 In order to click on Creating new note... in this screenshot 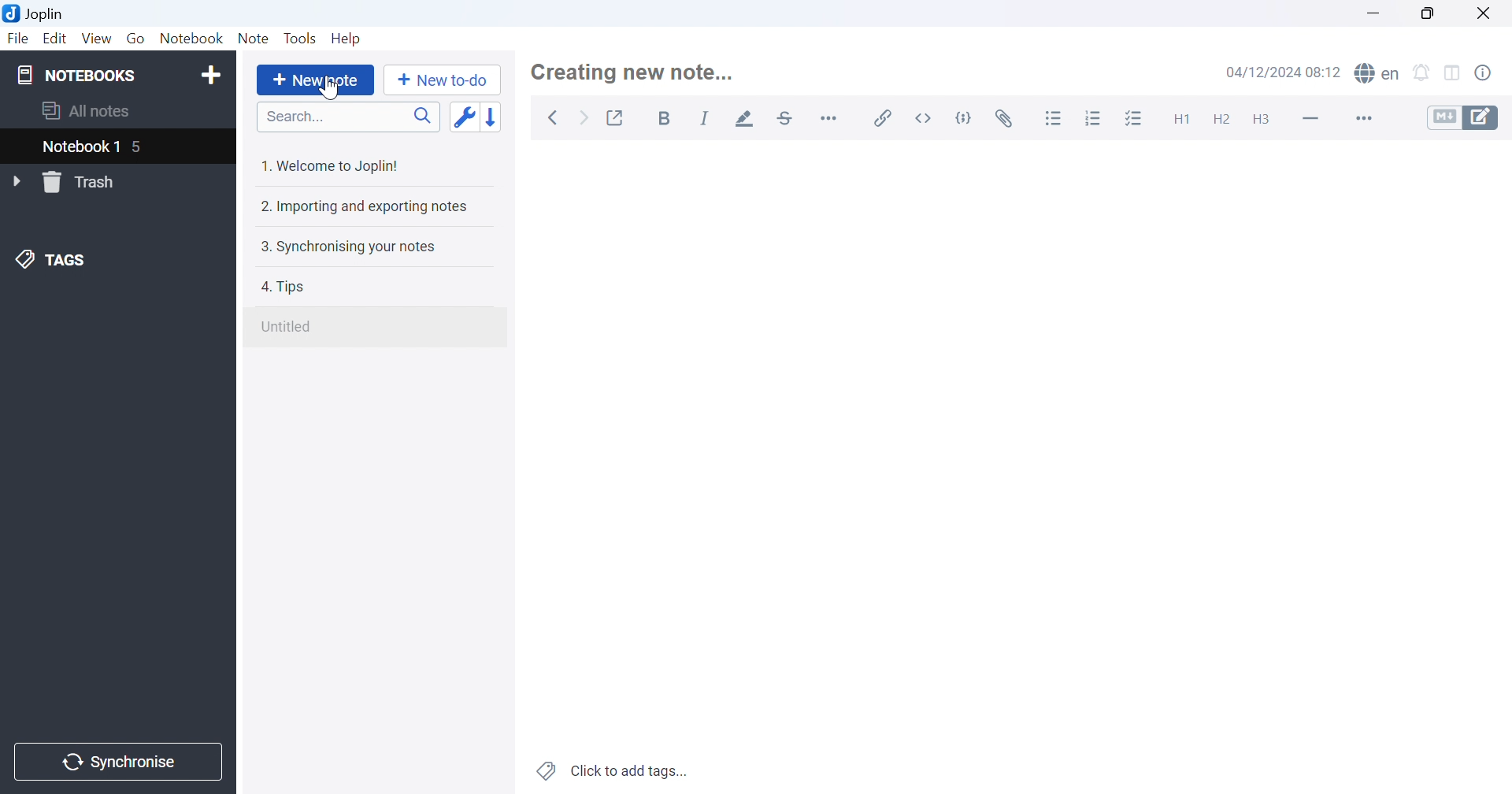, I will do `click(639, 68)`.